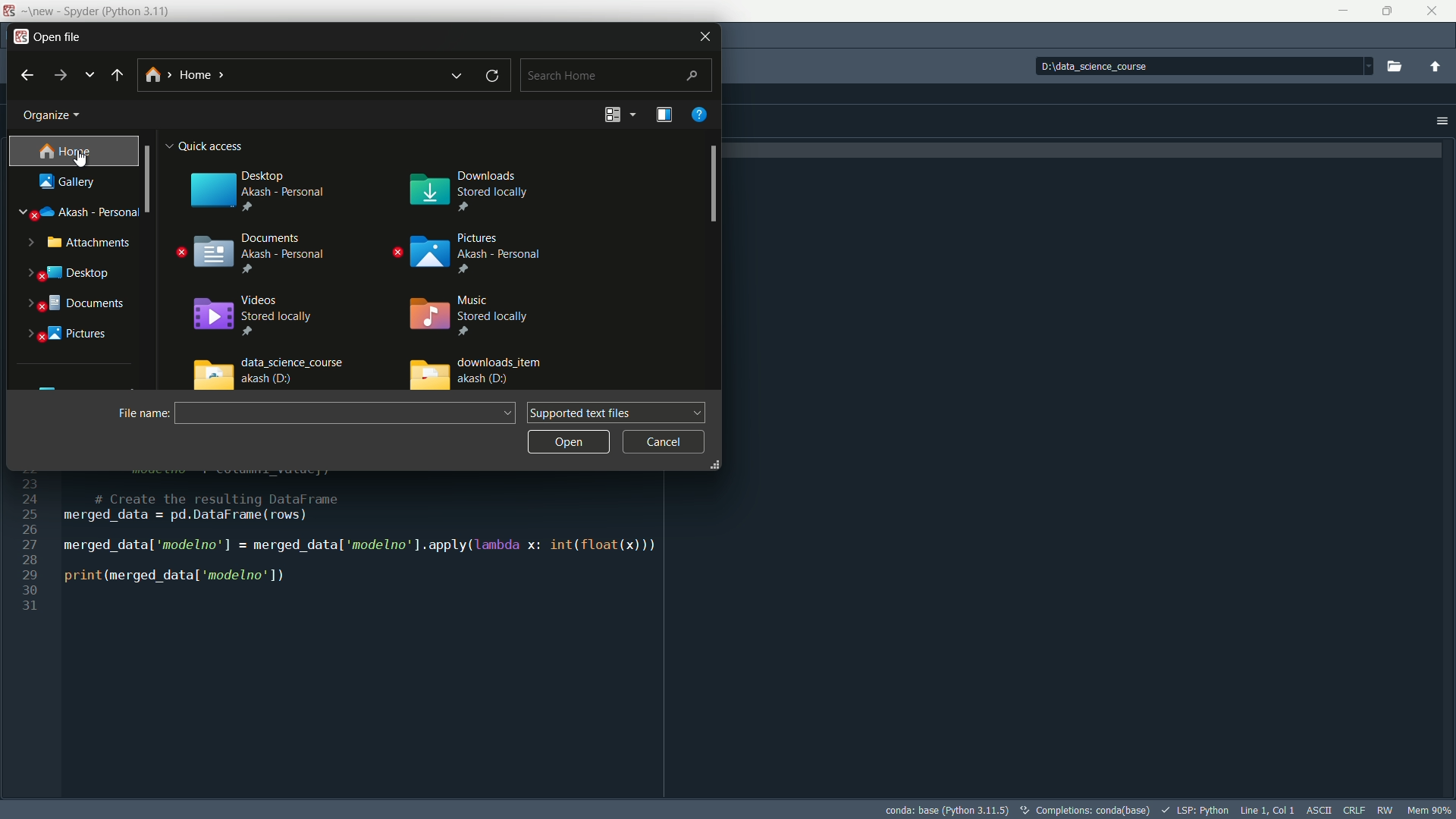 The height and width of the screenshot is (819, 1456). Describe the element at coordinates (253, 186) in the screenshot. I see `desktop` at that location.